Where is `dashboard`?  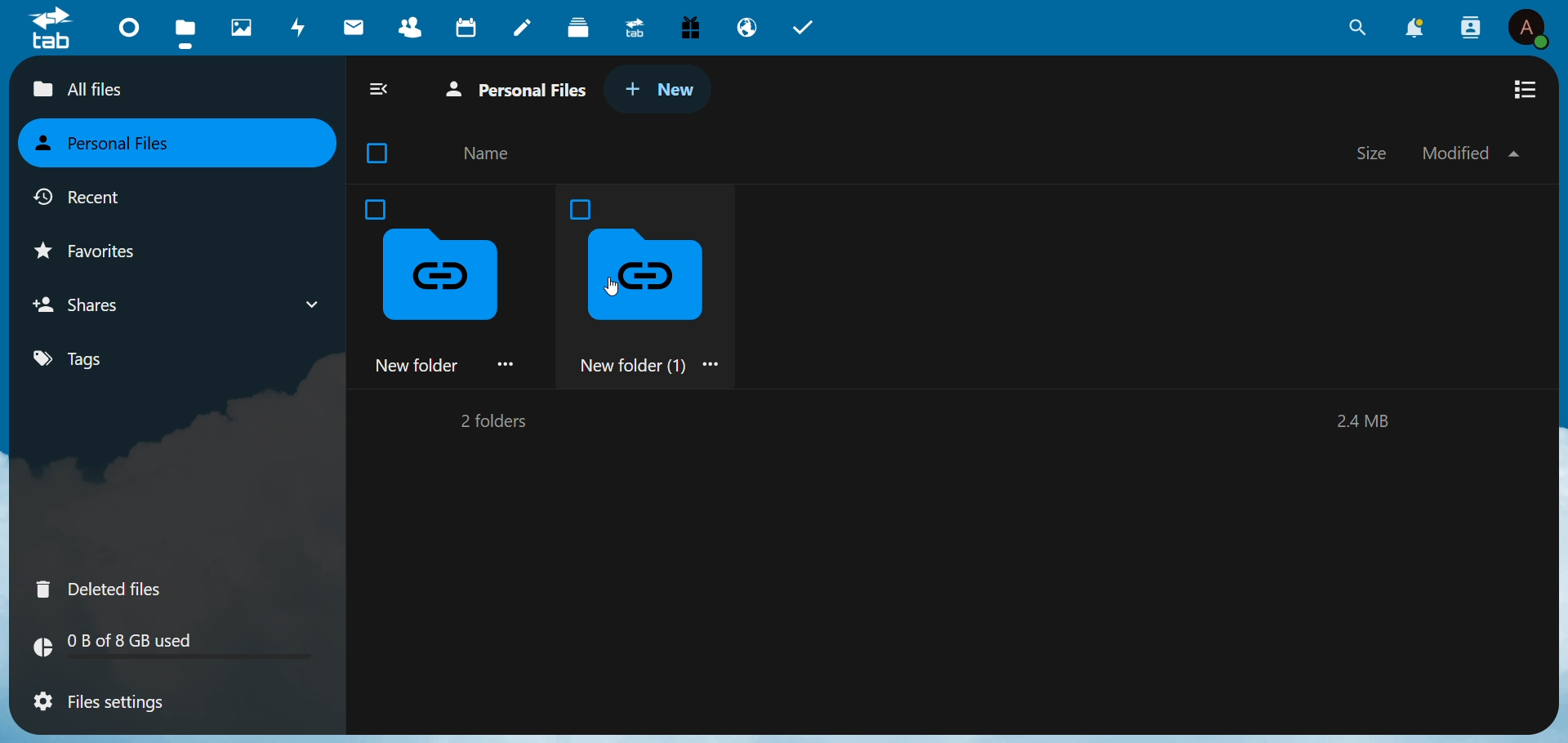
dashboard is located at coordinates (131, 25).